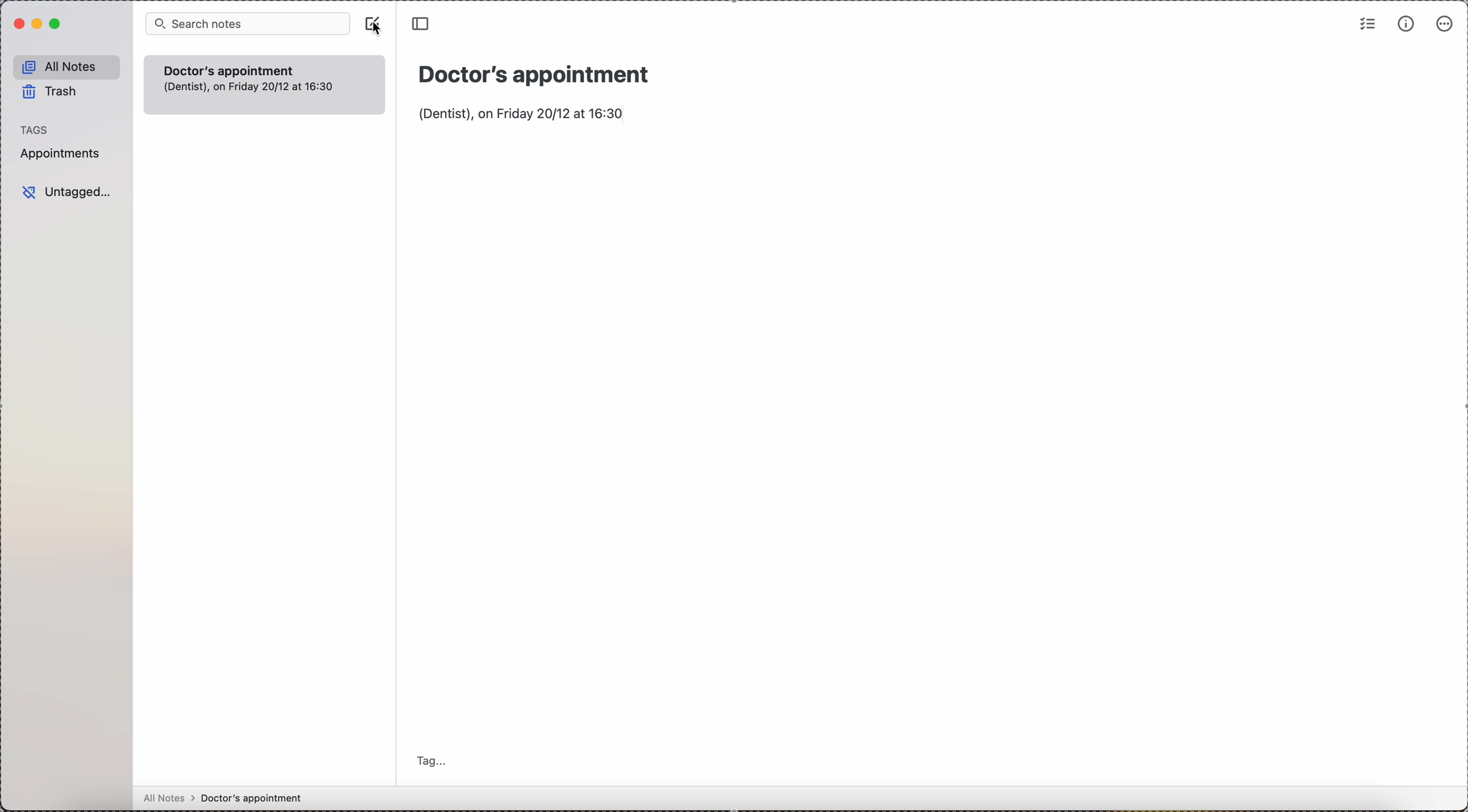 Image resolution: width=1468 pixels, height=812 pixels. I want to click on Cursor, so click(378, 30).